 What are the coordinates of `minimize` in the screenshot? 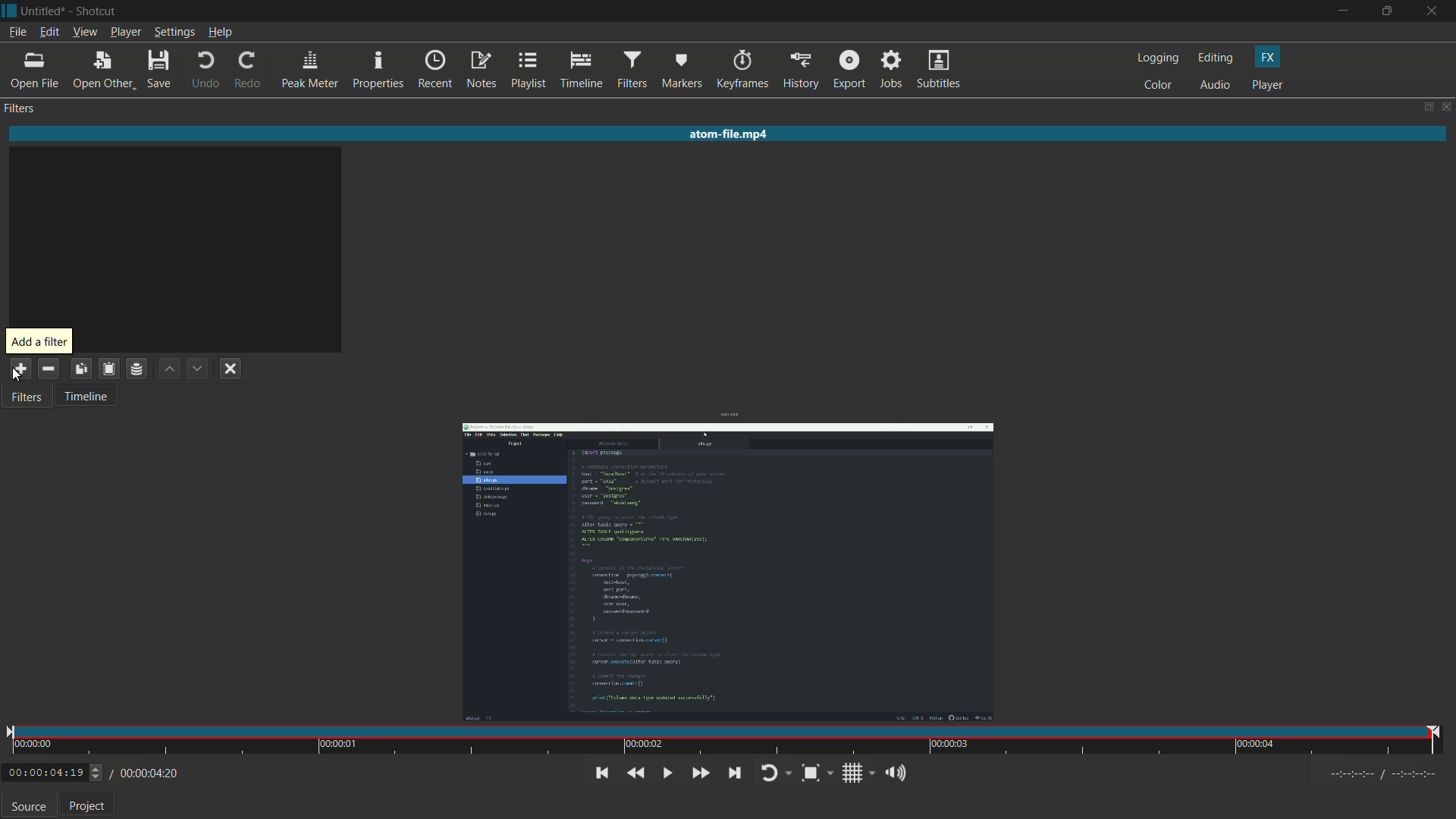 It's located at (1348, 11).